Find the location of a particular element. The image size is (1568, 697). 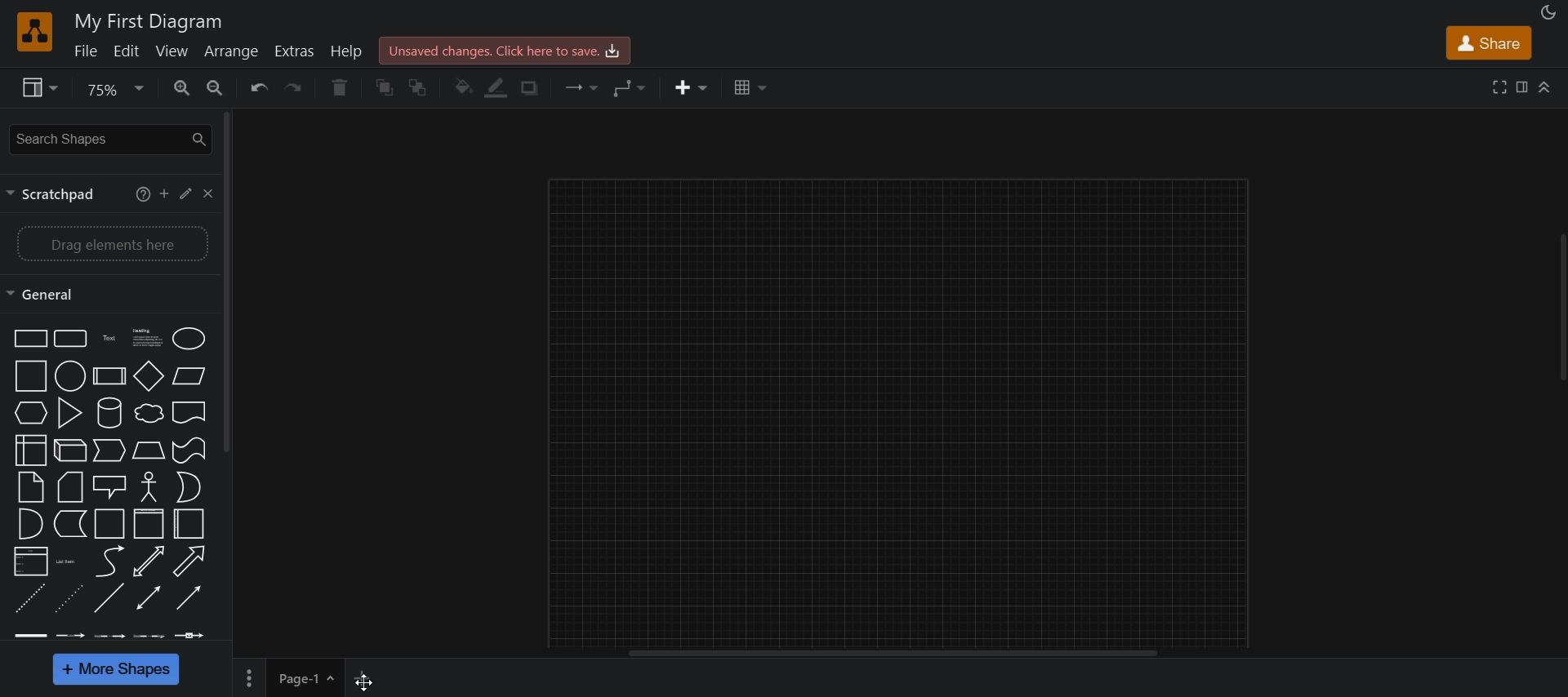

zoom out is located at coordinates (215, 90).